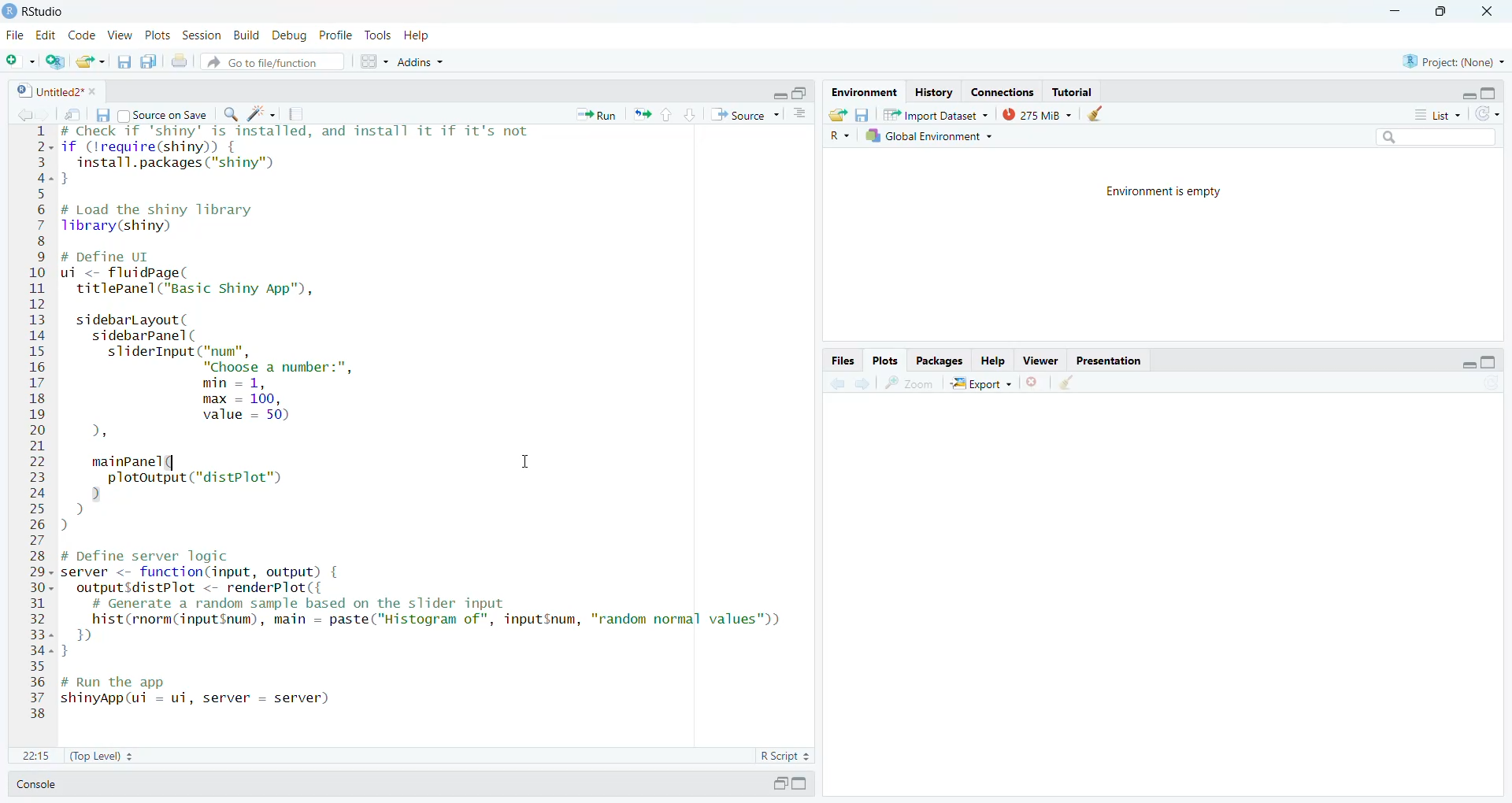  What do you see at coordinates (422, 61) in the screenshot?
I see `Addins` at bounding box center [422, 61].